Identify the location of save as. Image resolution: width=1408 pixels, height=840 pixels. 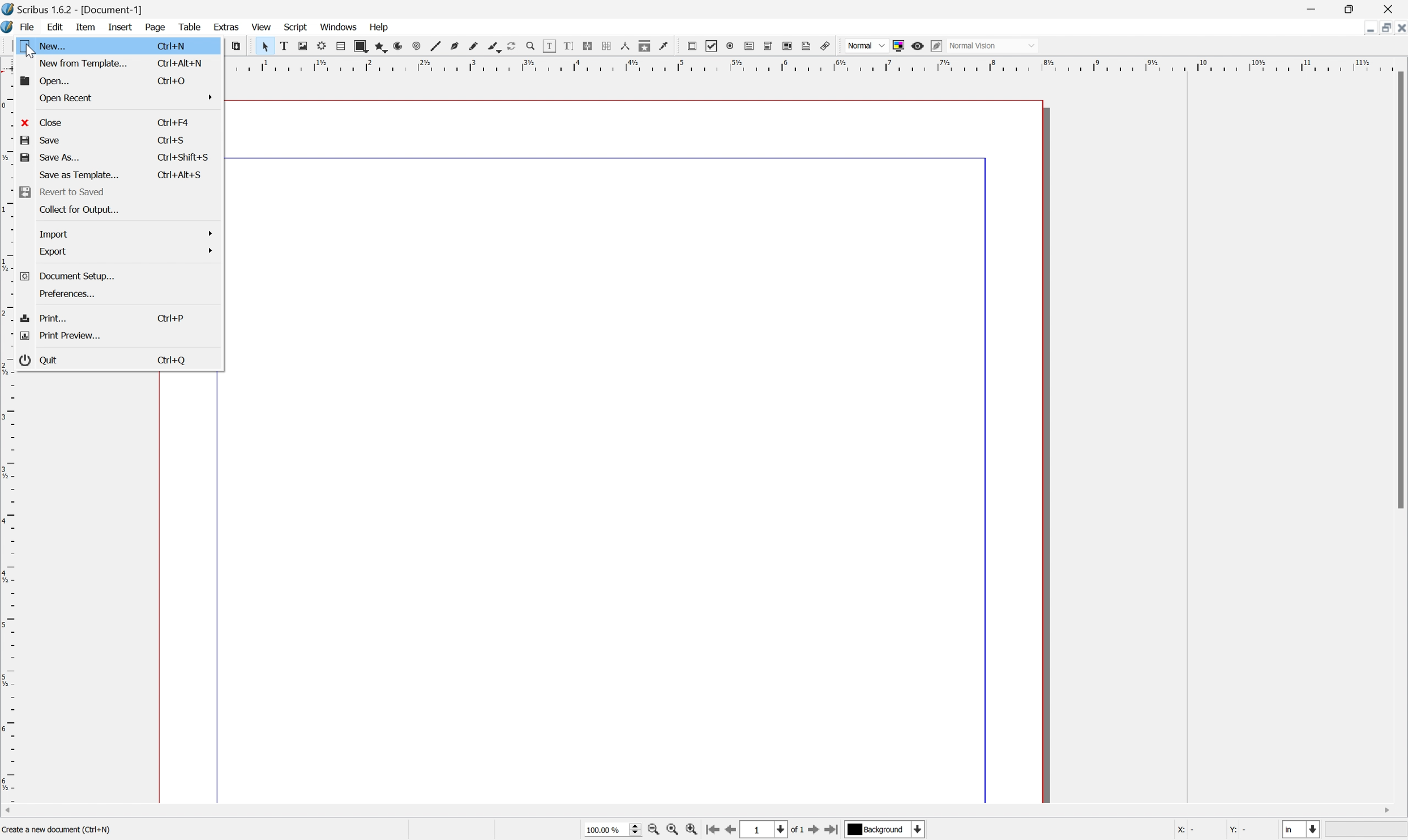
(51, 160).